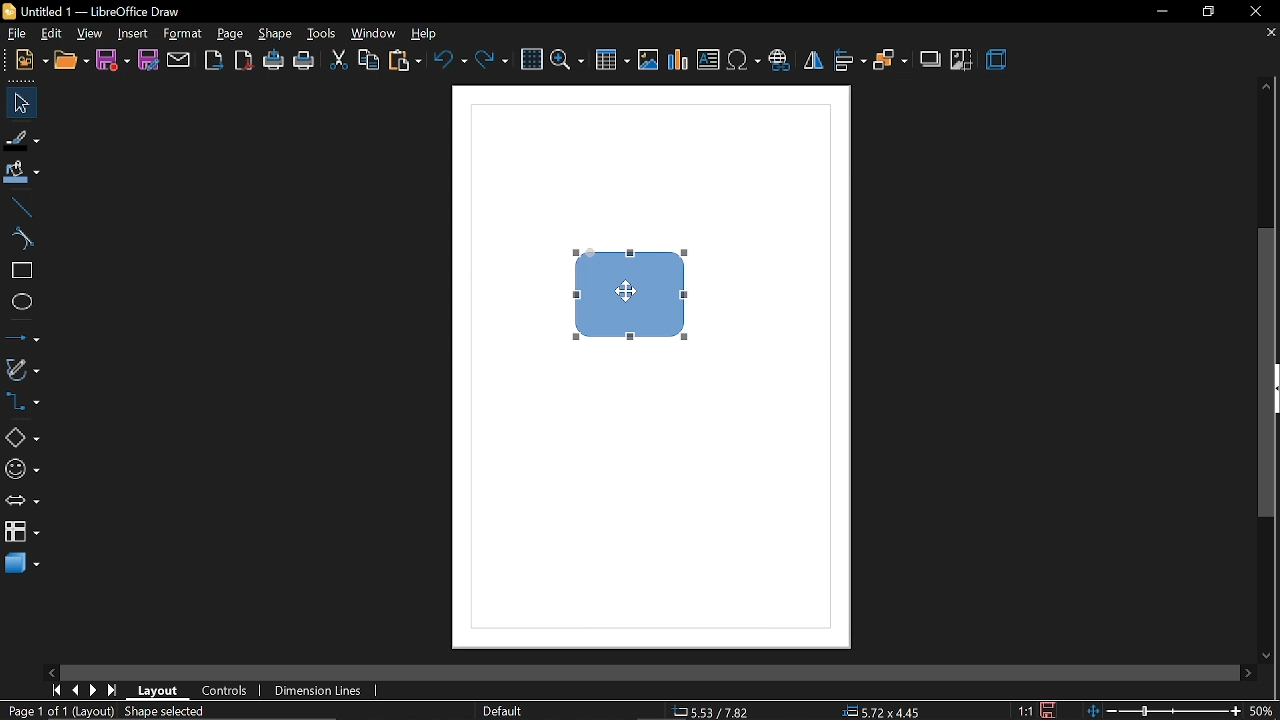  What do you see at coordinates (305, 61) in the screenshot?
I see `print` at bounding box center [305, 61].